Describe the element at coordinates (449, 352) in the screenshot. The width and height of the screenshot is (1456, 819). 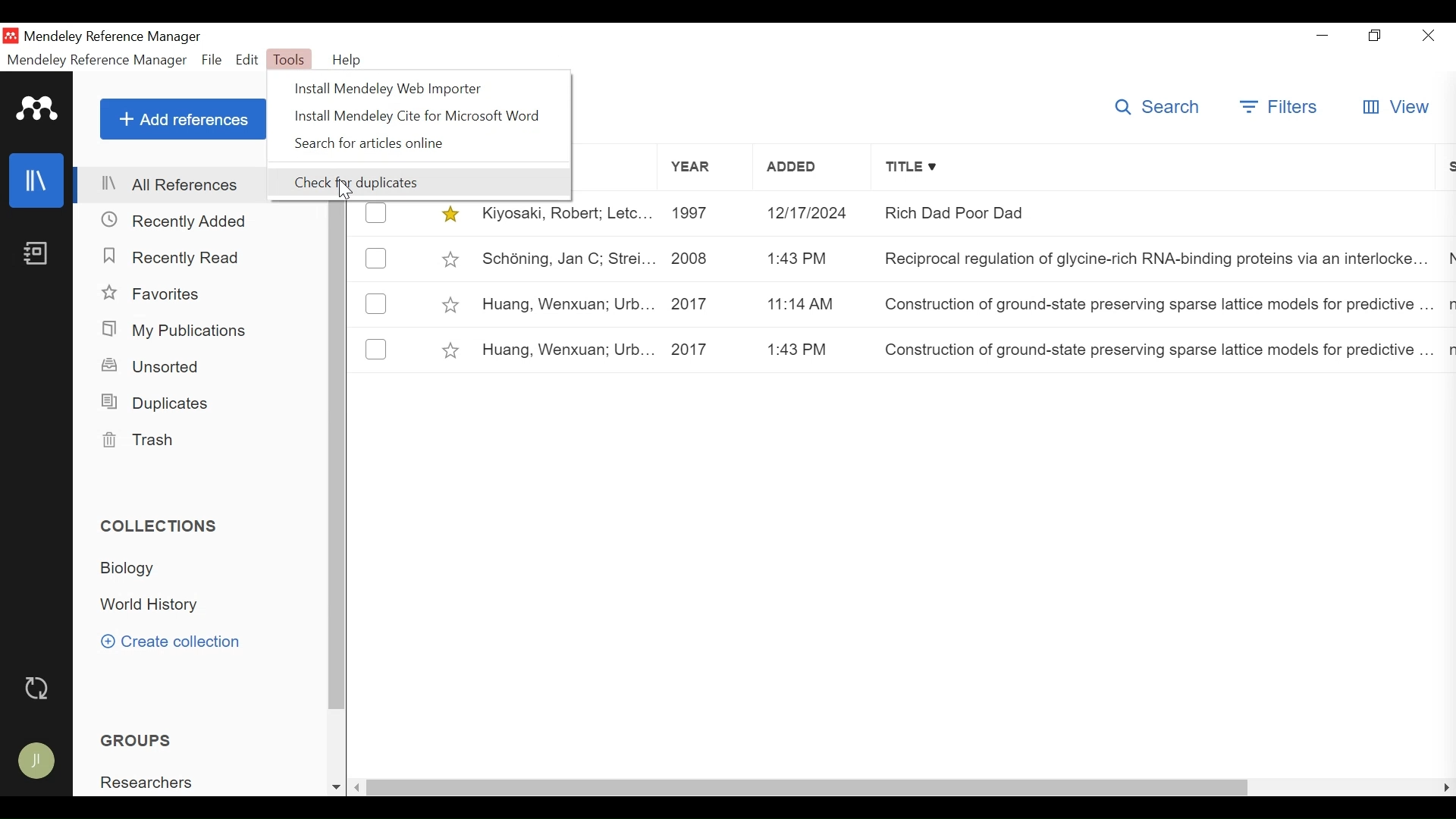
I see `Toggle Favorites` at that location.